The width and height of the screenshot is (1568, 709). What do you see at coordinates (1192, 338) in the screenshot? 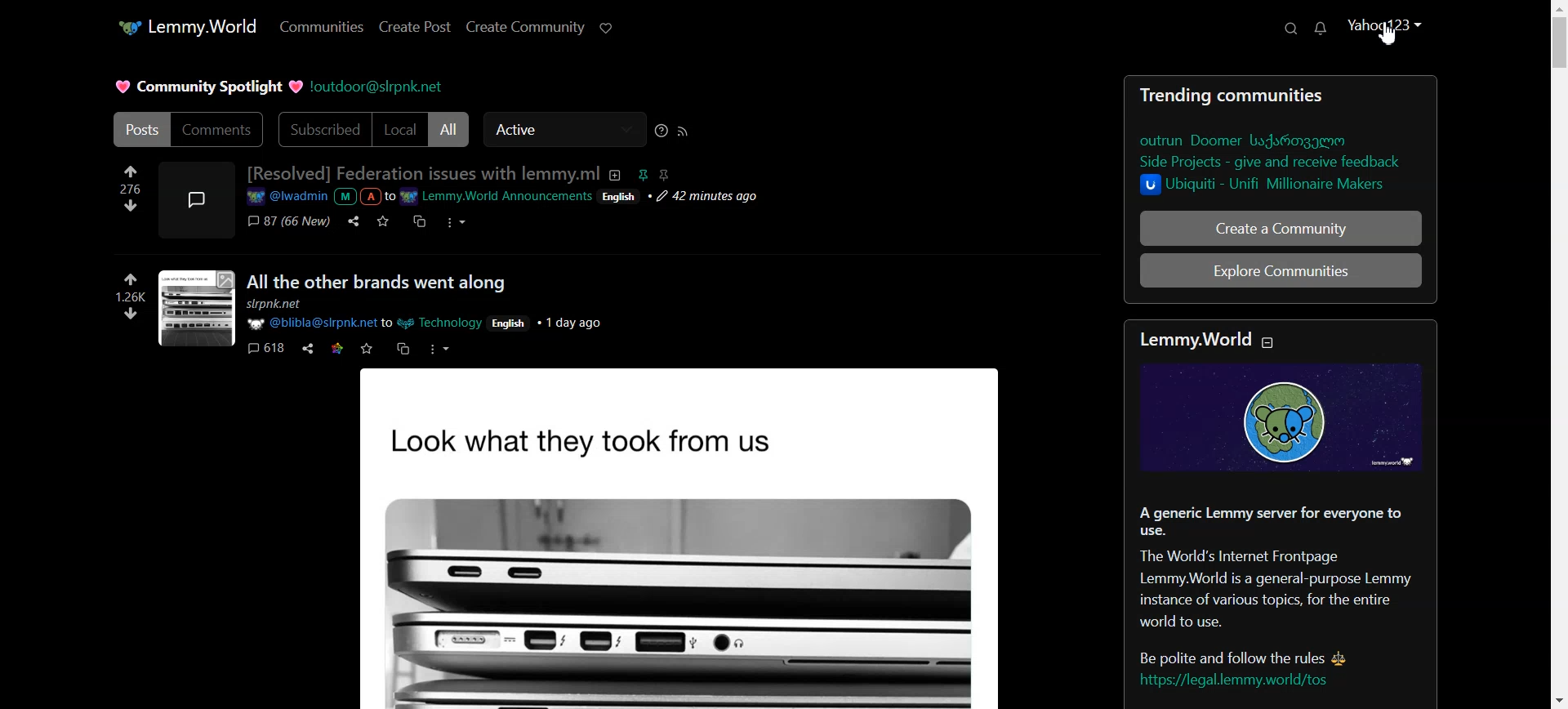
I see `lemmy.world` at bounding box center [1192, 338].